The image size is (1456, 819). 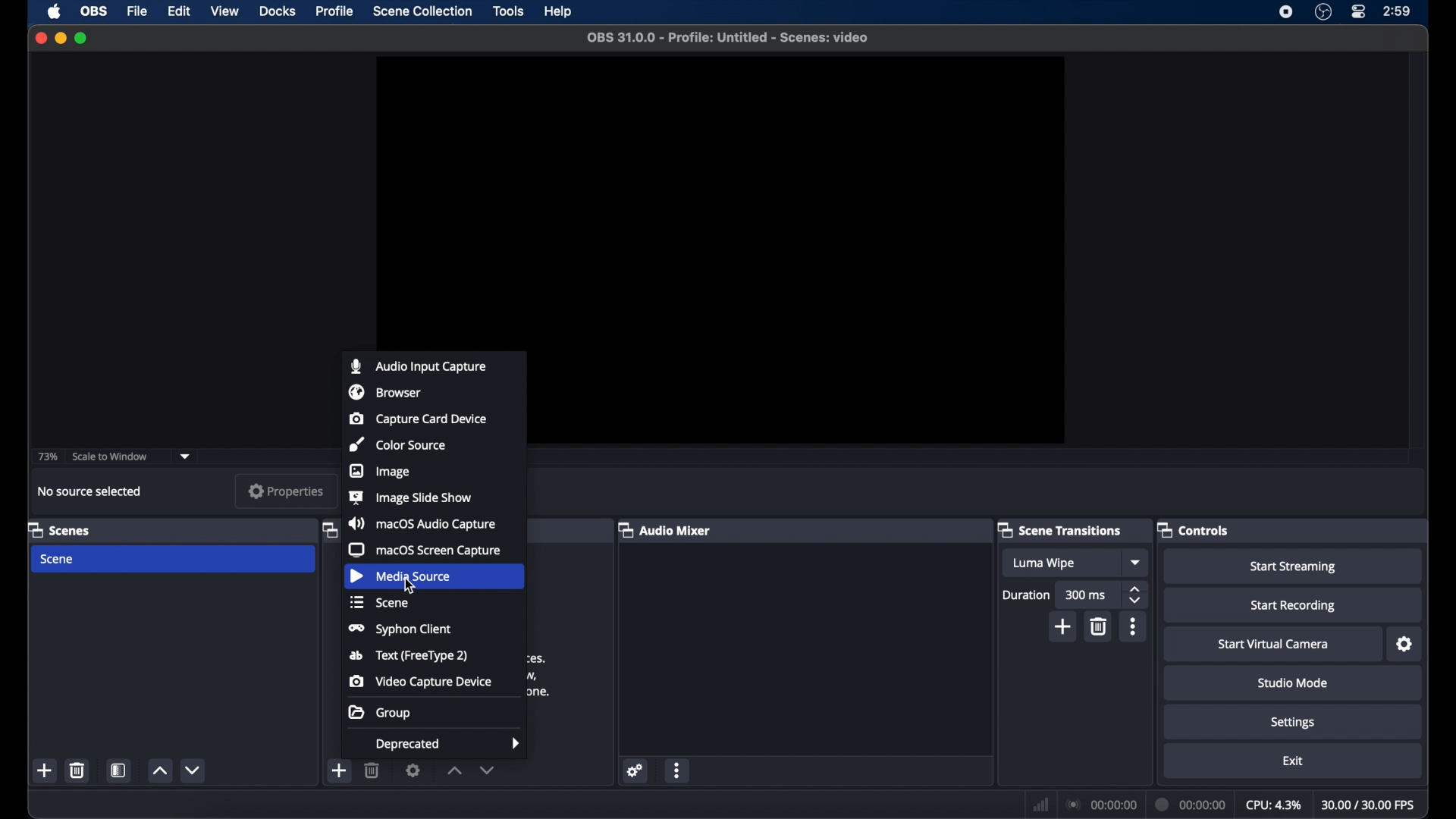 I want to click on time, so click(x=1398, y=11).